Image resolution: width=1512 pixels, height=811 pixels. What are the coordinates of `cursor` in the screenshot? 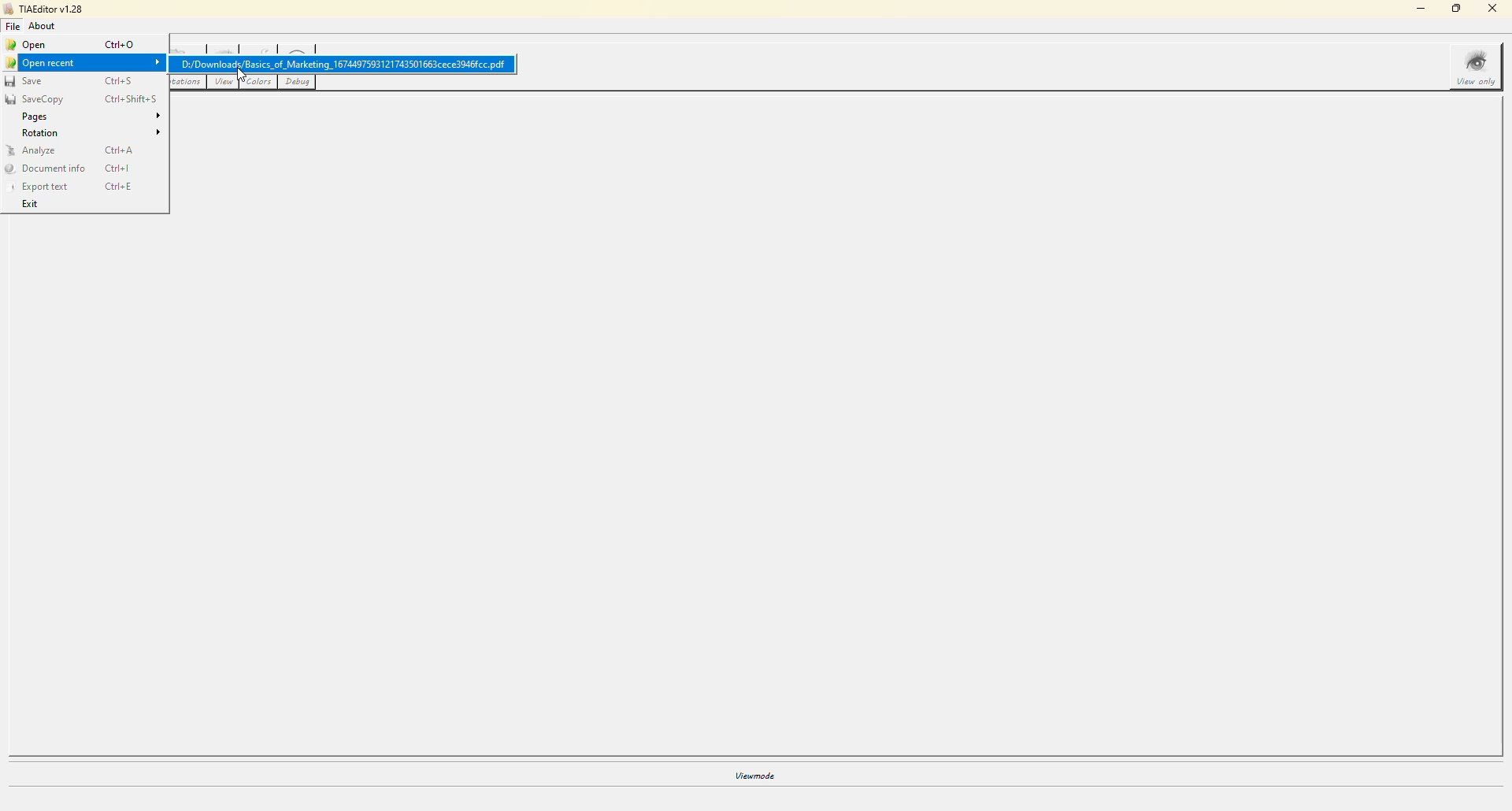 It's located at (244, 76).